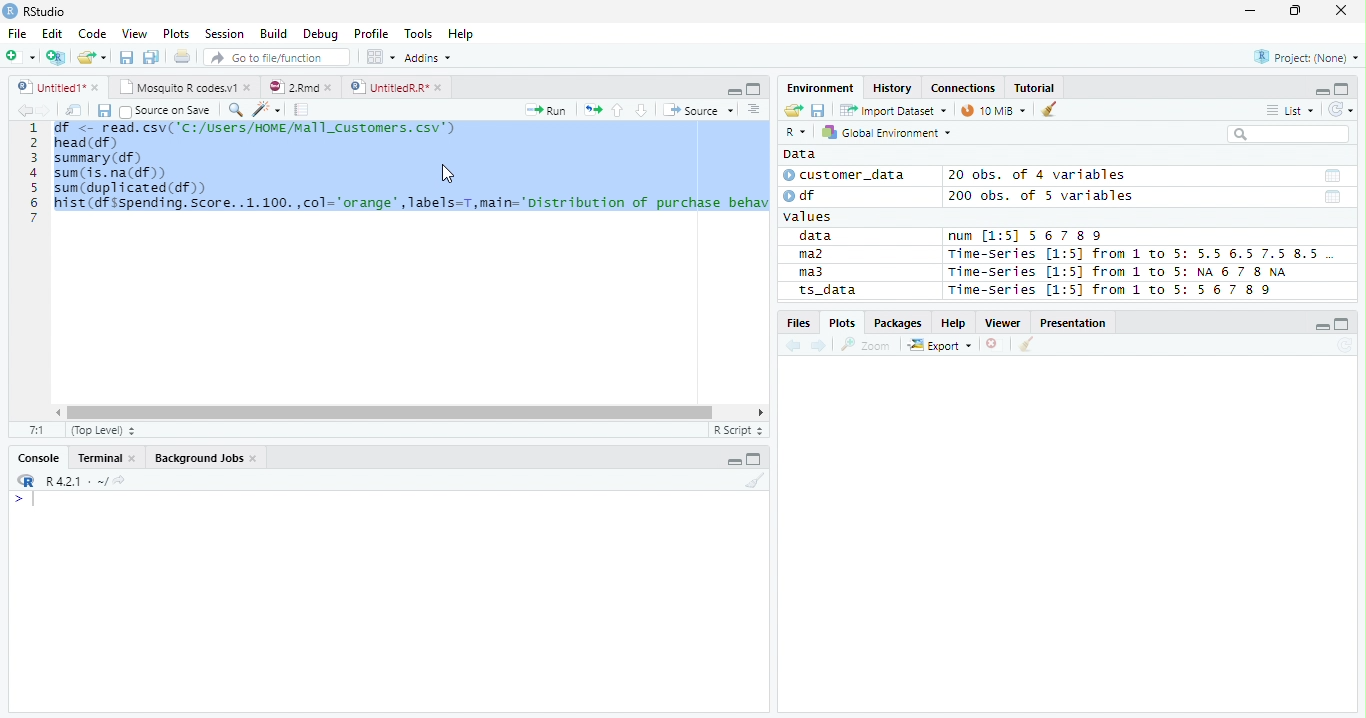 The height and width of the screenshot is (718, 1366). I want to click on Minimize, so click(735, 459).